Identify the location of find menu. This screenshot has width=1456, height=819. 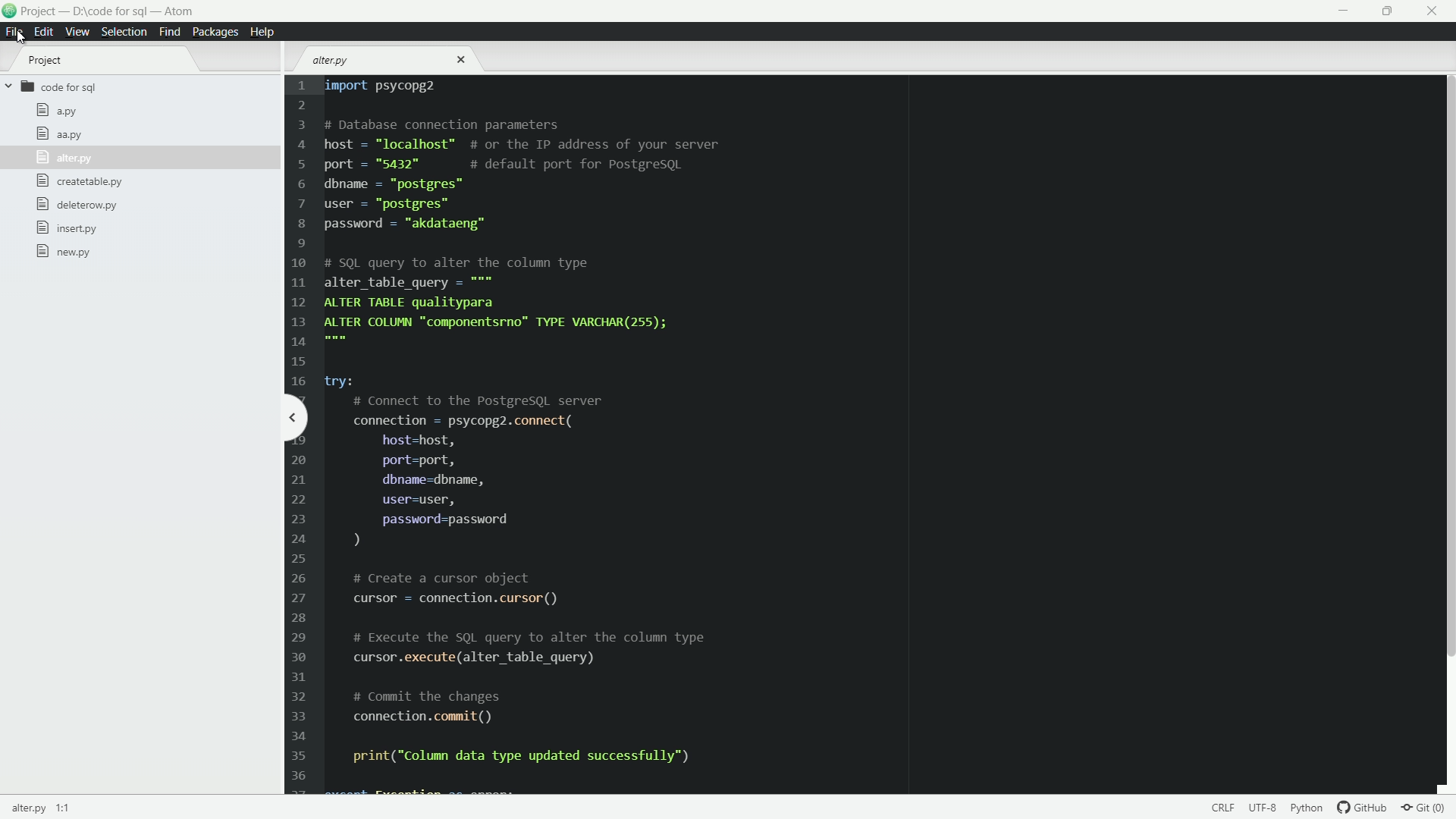
(168, 31).